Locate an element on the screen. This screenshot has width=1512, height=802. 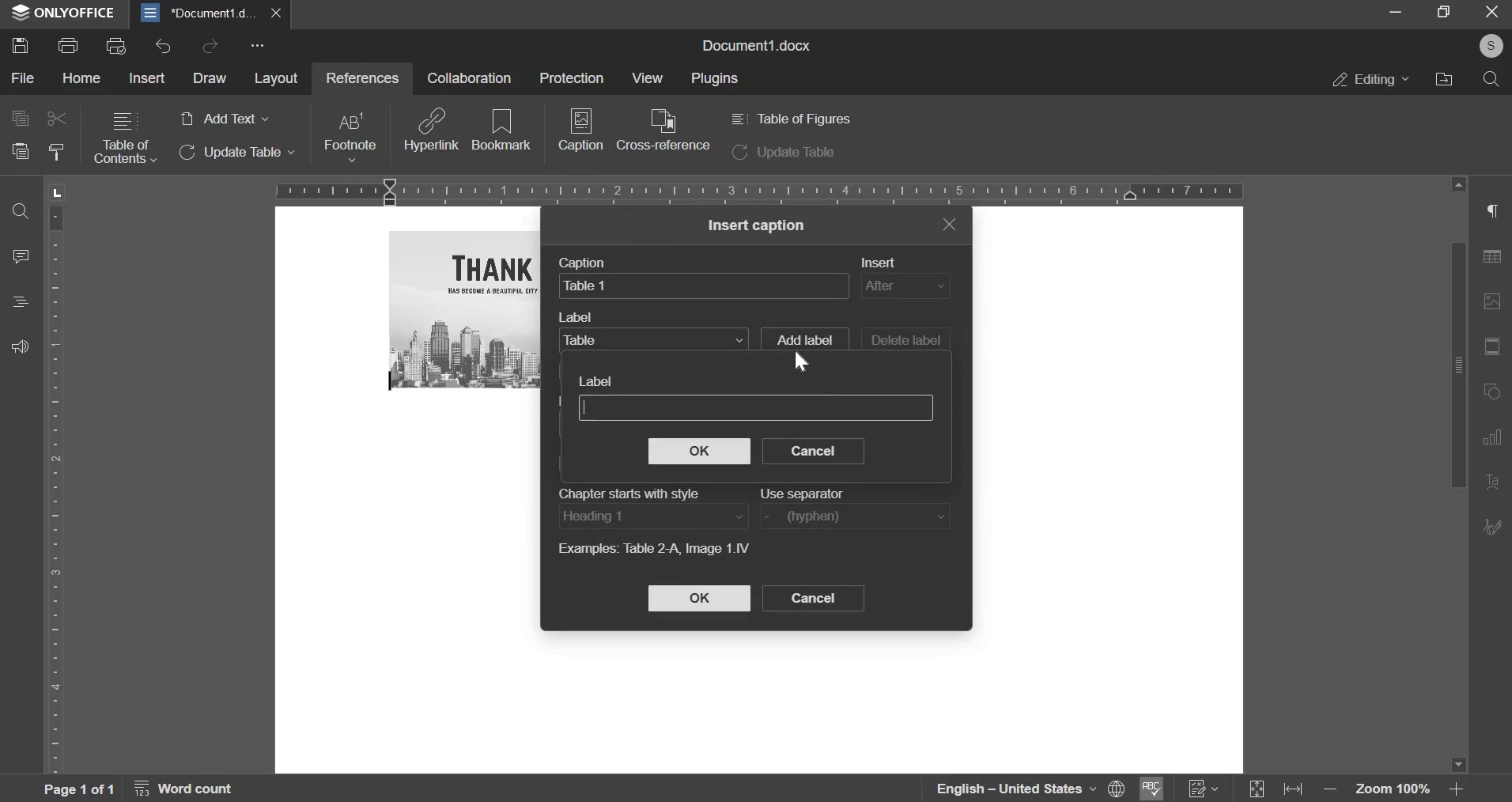
collaboration is located at coordinates (469, 78).